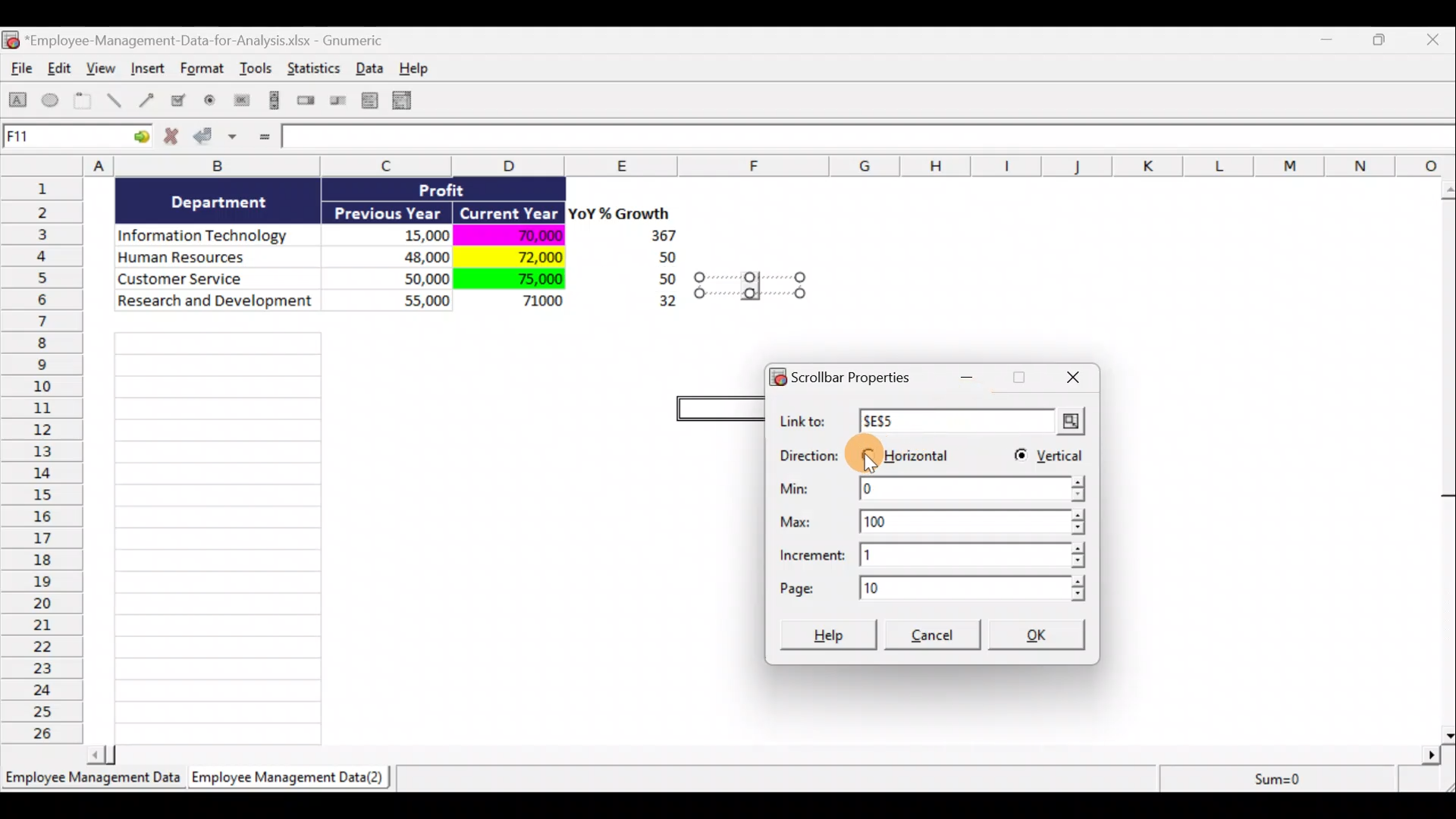 The width and height of the screenshot is (1456, 819). What do you see at coordinates (935, 637) in the screenshot?
I see `Cancel` at bounding box center [935, 637].